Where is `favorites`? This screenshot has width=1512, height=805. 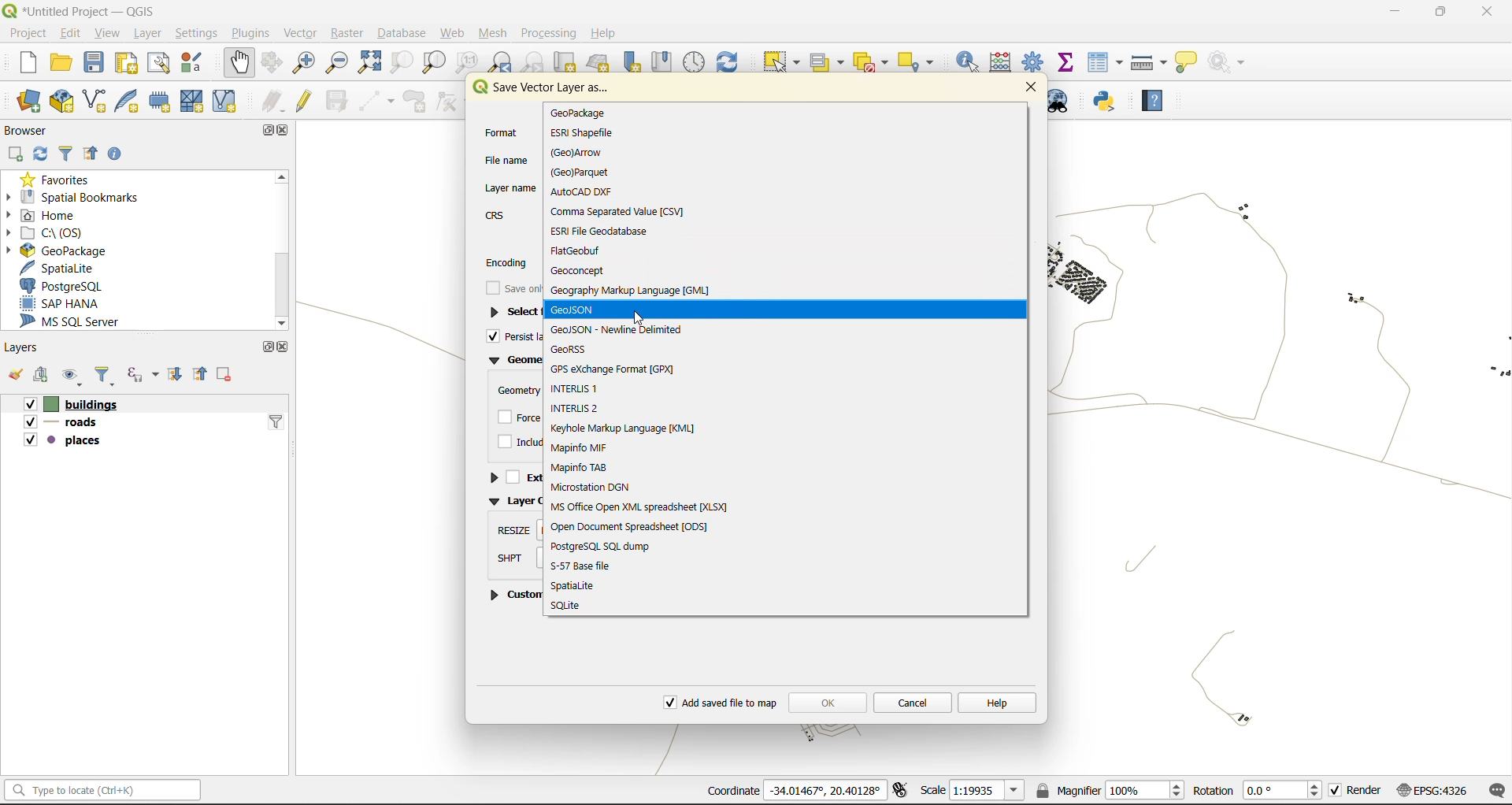
favorites is located at coordinates (65, 180).